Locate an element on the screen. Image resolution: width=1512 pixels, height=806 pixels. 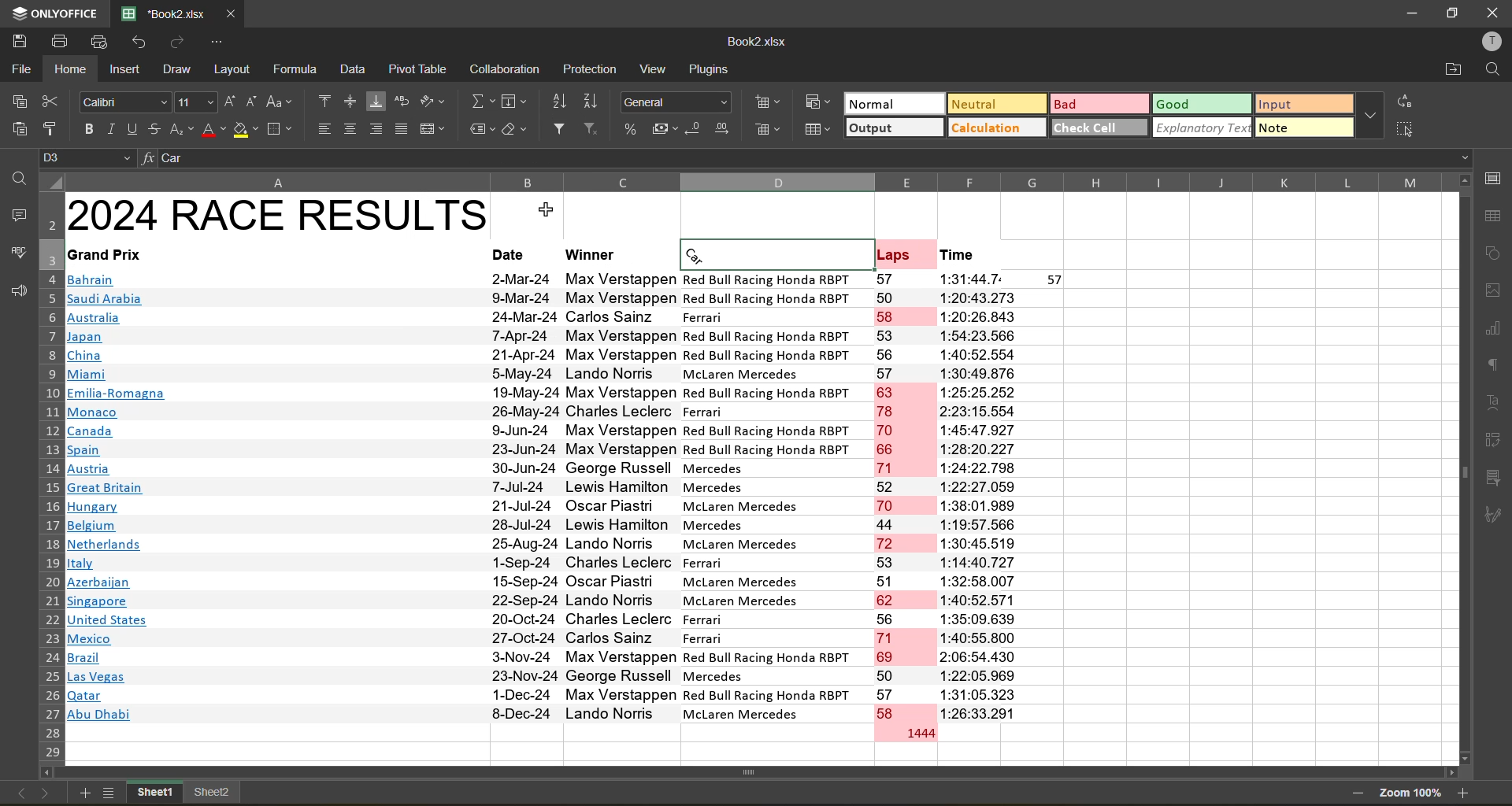
remove cells is located at coordinates (770, 134).